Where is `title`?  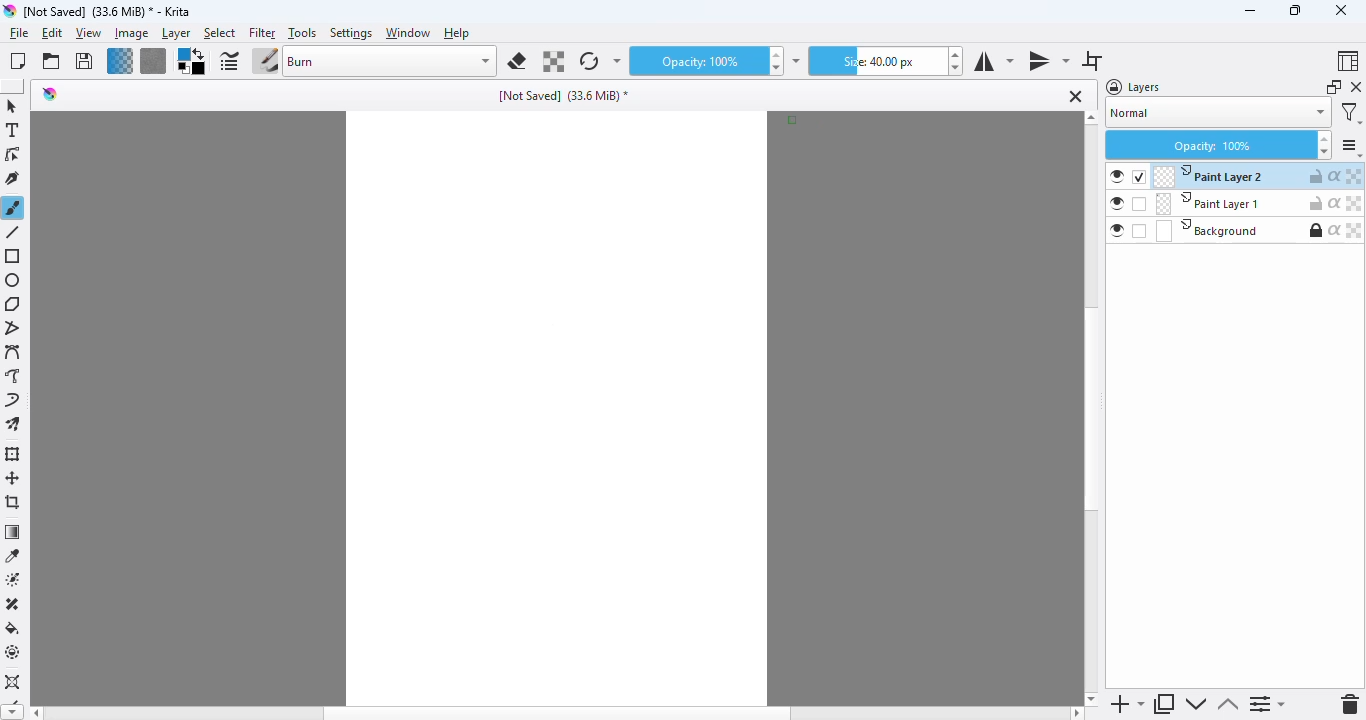
title is located at coordinates (108, 11).